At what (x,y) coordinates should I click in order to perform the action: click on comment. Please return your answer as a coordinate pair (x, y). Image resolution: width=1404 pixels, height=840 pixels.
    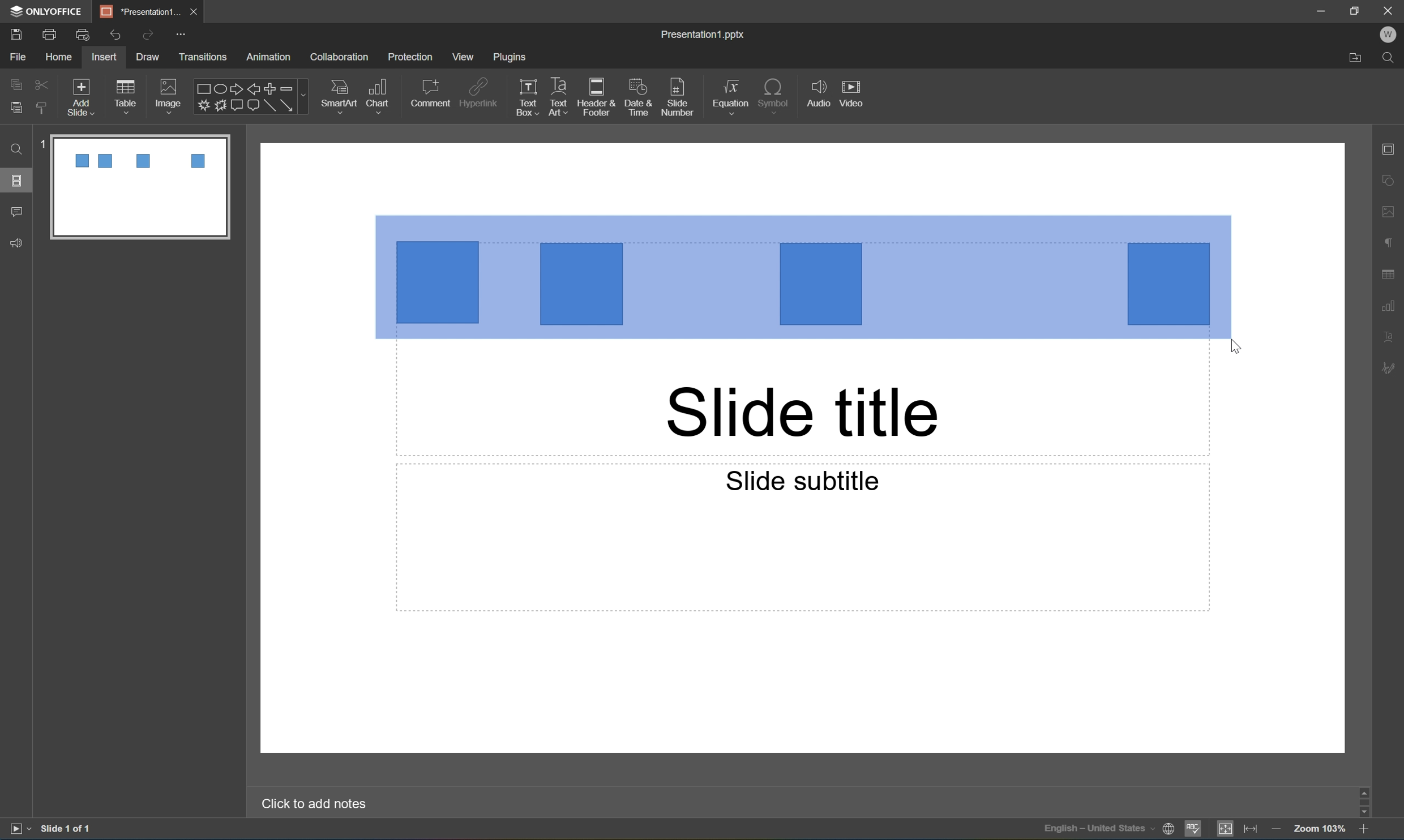
    Looking at the image, I should click on (430, 93).